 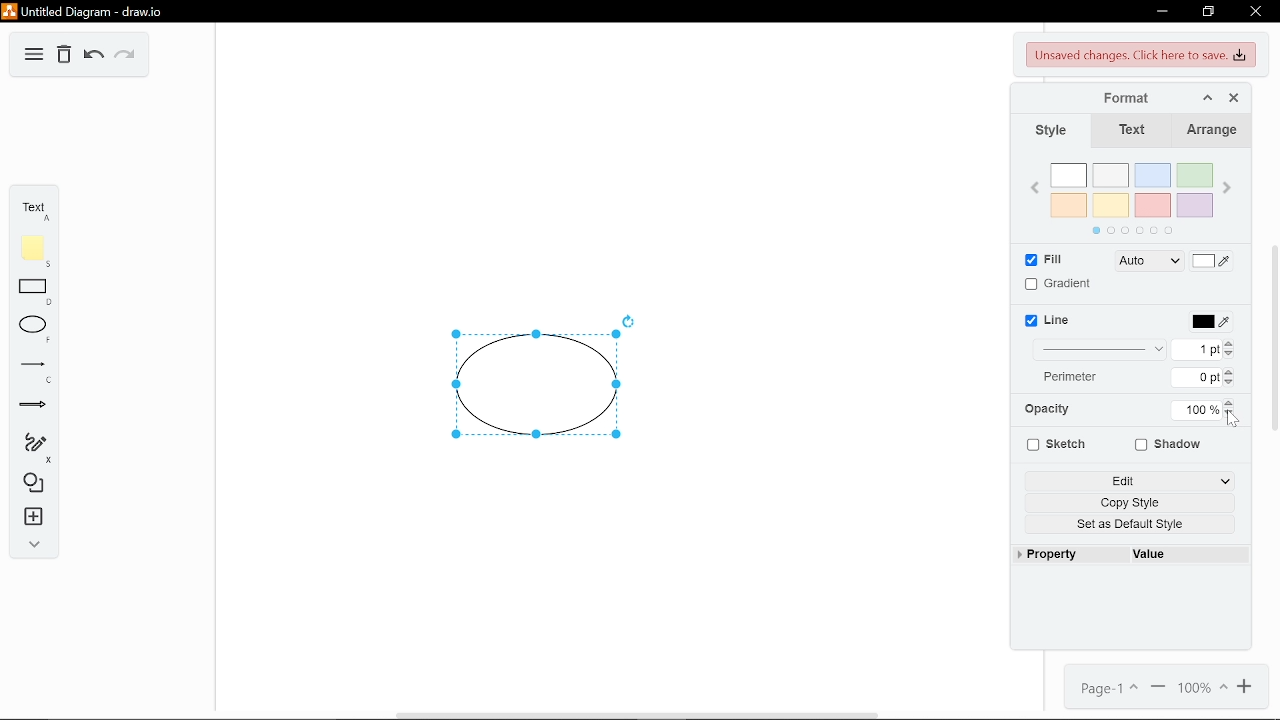 What do you see at coordinates (1049, 132) in the screenshot?
I see `Style` at bounding box center [1049, 132].